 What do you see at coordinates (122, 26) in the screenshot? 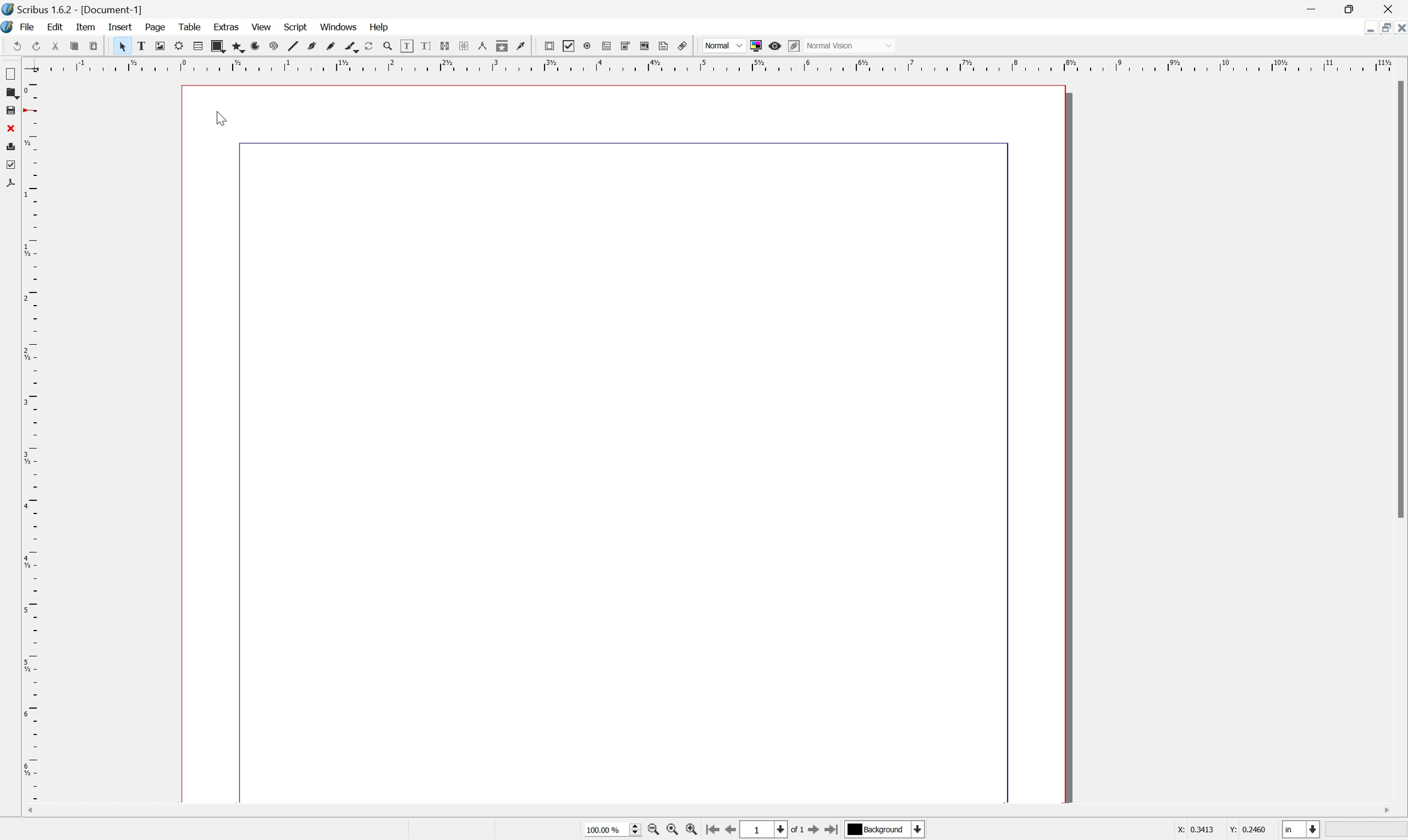
I see `insert` at bounding box center [122, 26].